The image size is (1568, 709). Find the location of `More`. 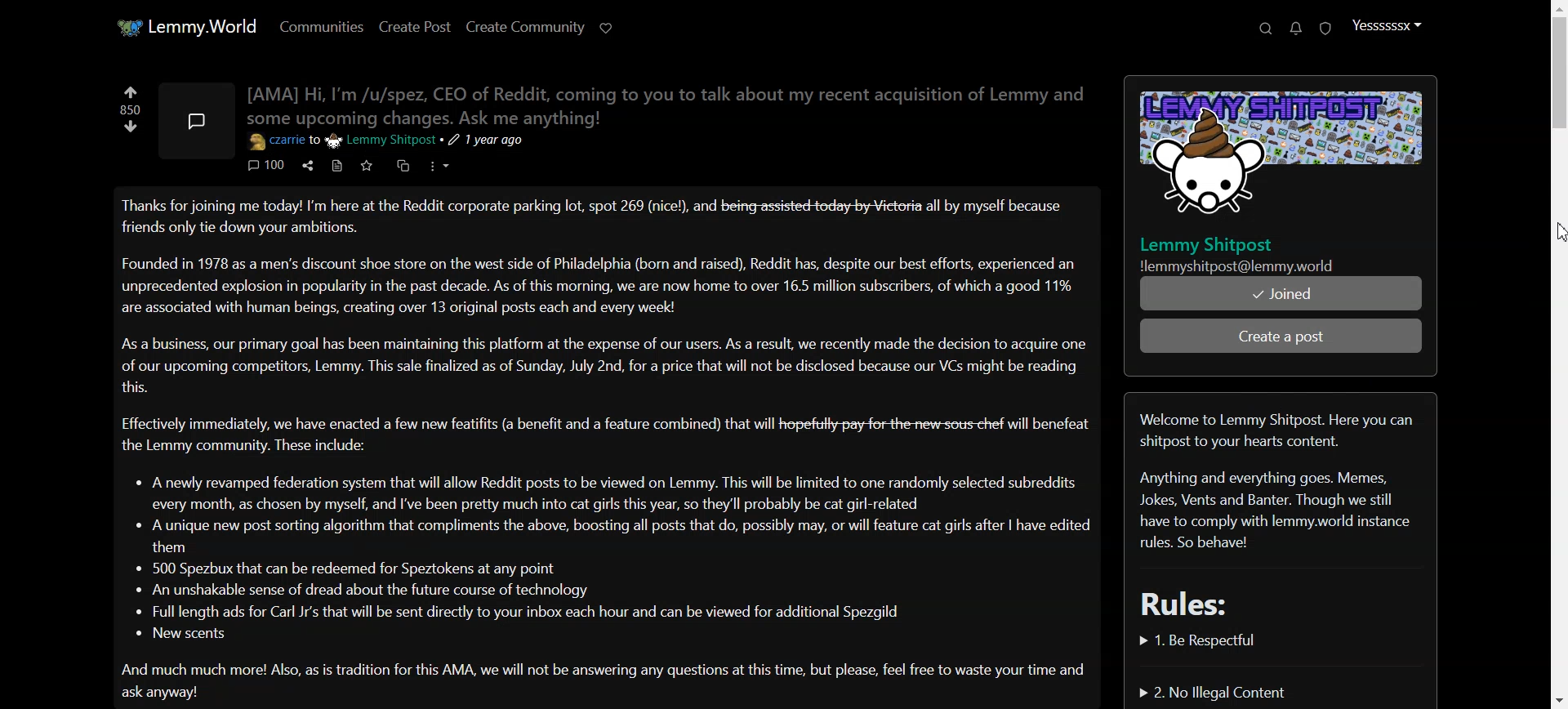

More is located at coordinates (439, 167).